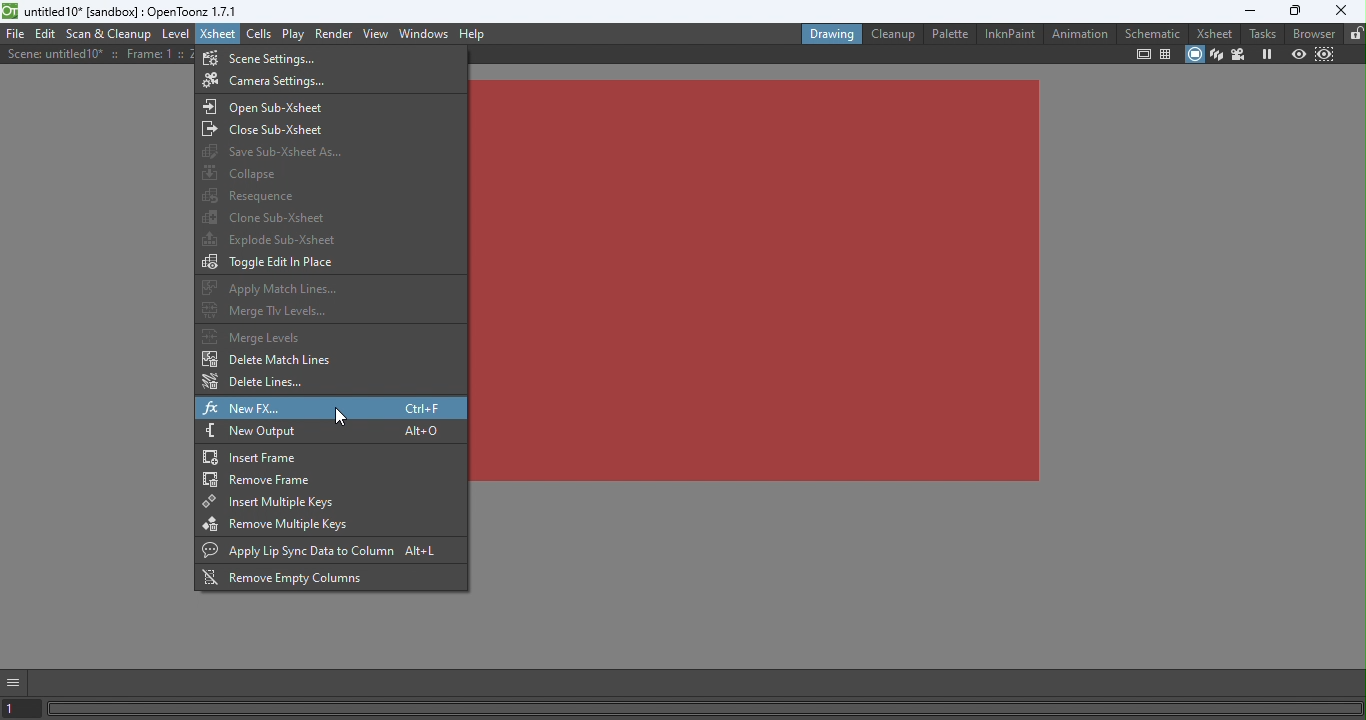  Describe the element at coordinates (1193, 56) in the screenshot. I see `Camera stand view` at that location.